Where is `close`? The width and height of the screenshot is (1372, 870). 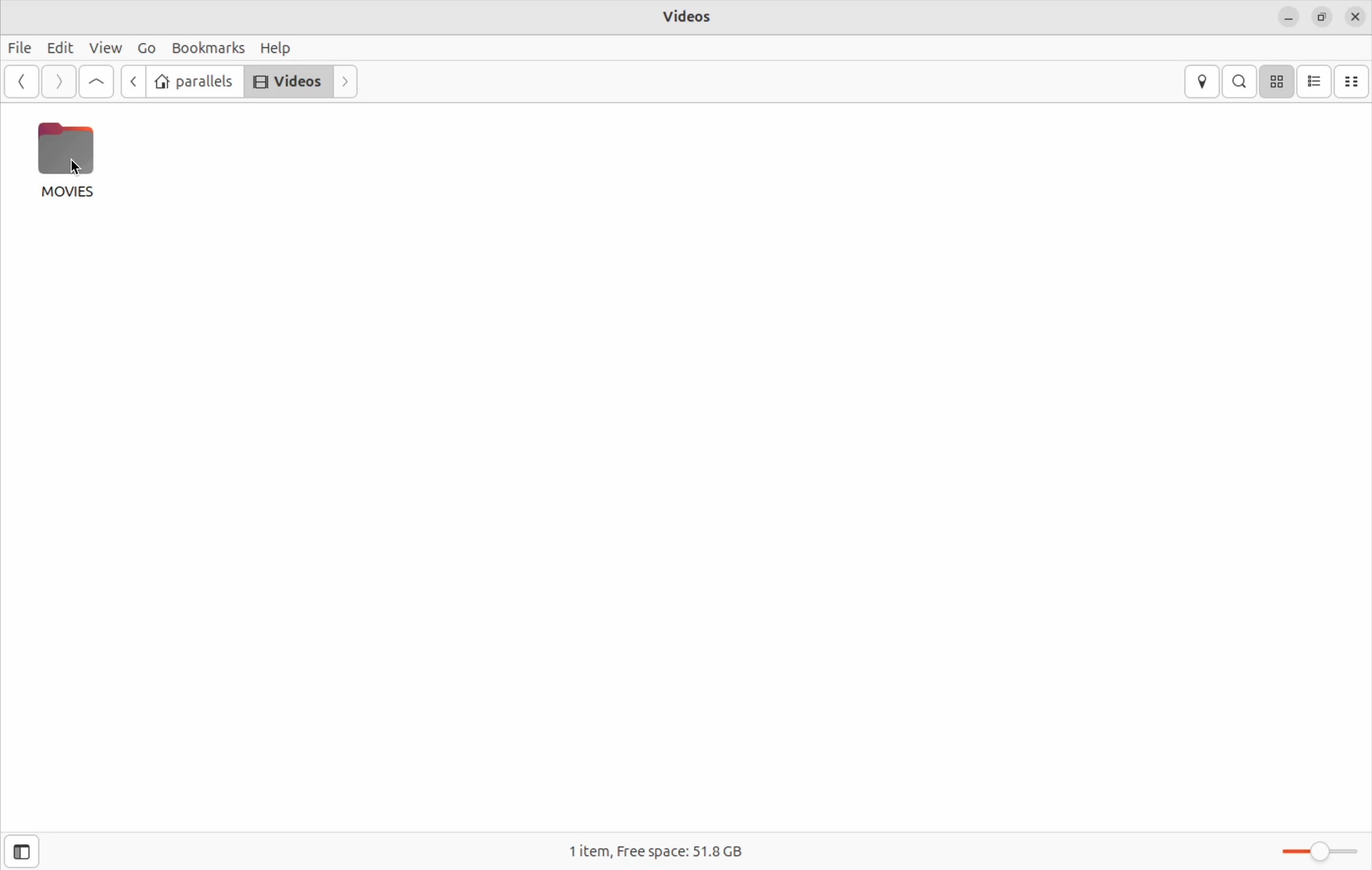
close is located at coordinates (1355, 16).